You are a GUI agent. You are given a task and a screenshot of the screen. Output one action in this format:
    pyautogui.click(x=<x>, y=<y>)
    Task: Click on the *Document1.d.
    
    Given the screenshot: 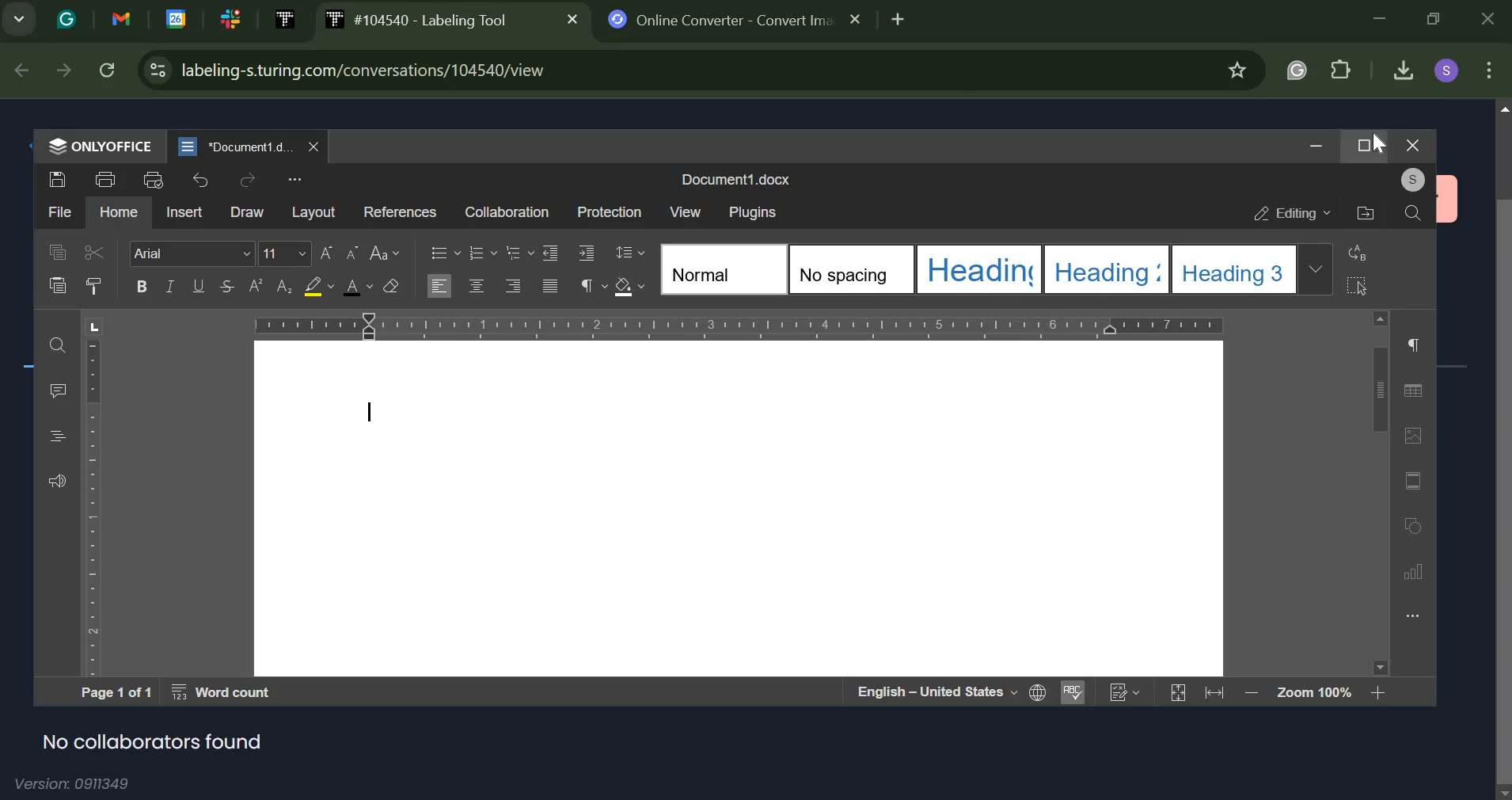 What is the action you would take?
    pyautogui.click(x=255, y=147)
    